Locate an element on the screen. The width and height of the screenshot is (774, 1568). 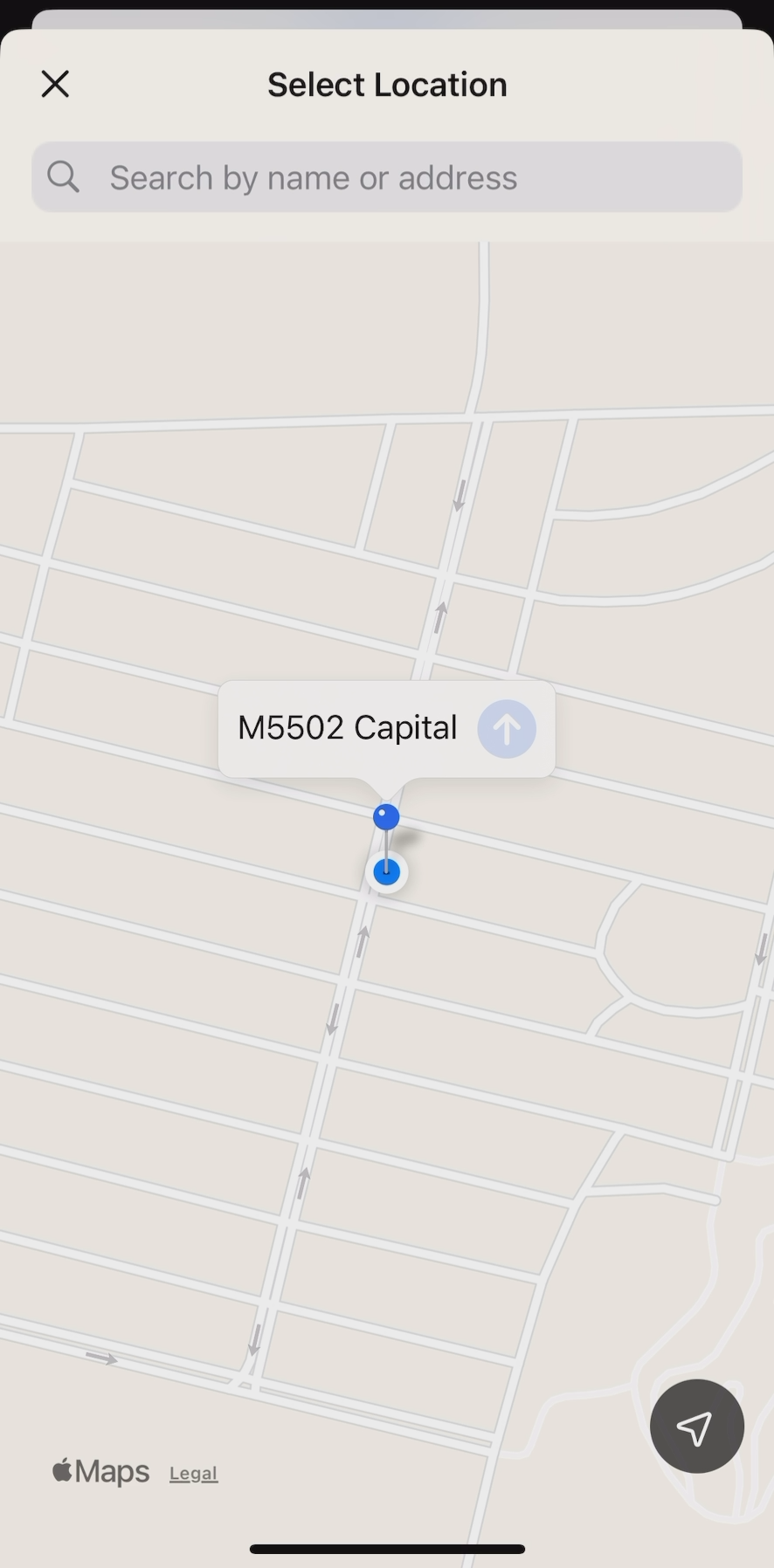
current location is located at coordinates (695, 1425).